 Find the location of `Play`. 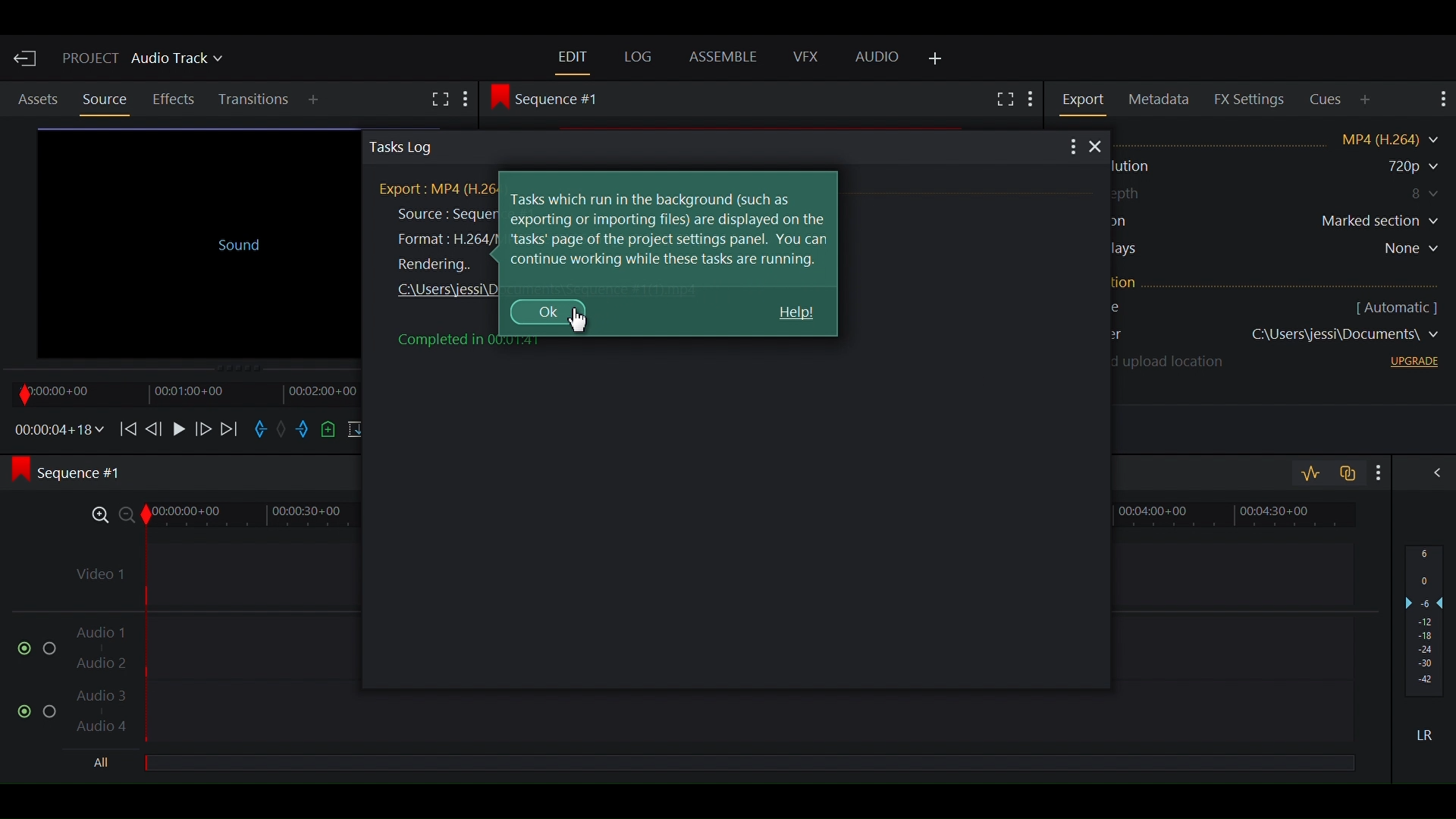

Play is located at coordinates (178, 428).